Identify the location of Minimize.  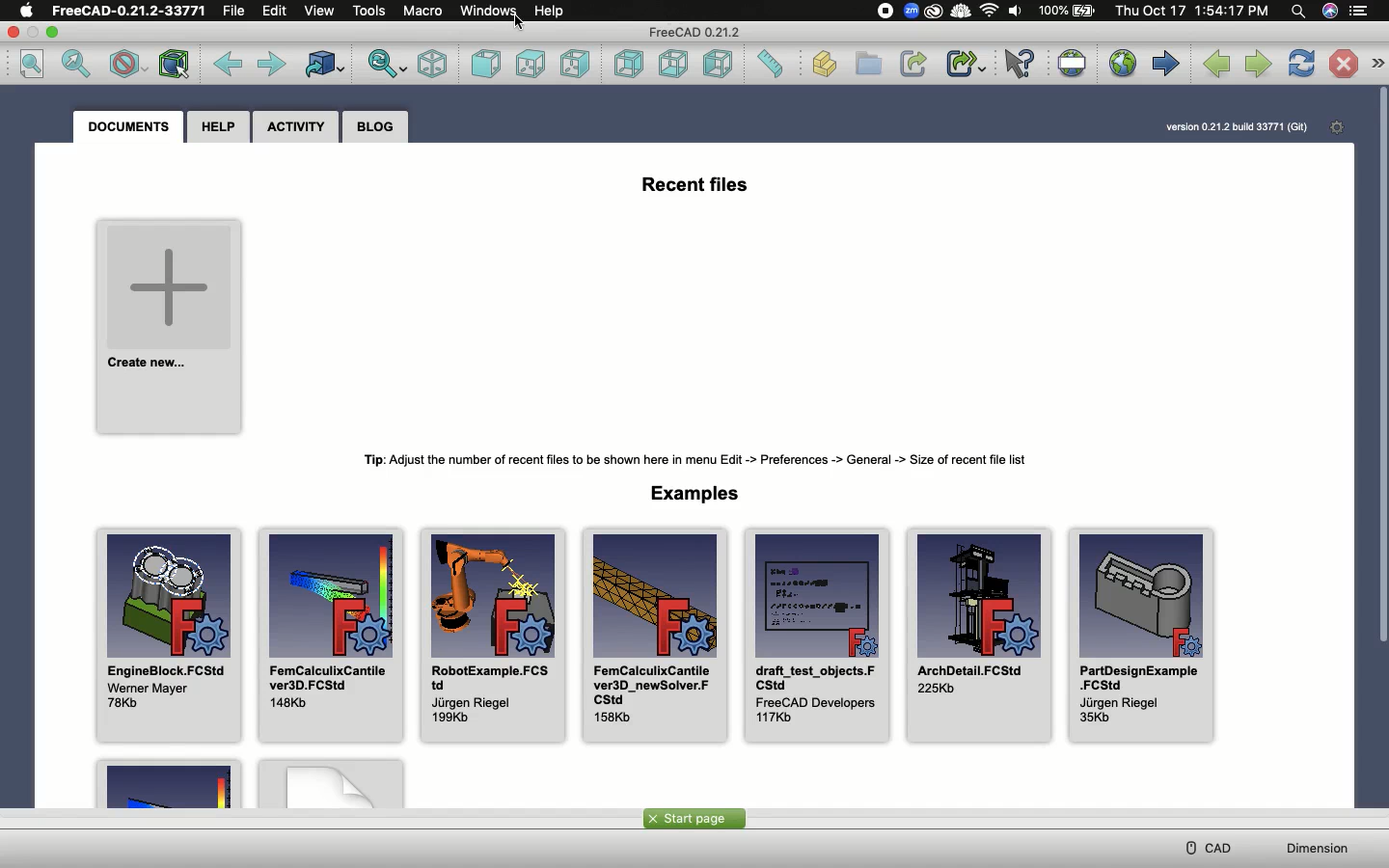
(54, 32).